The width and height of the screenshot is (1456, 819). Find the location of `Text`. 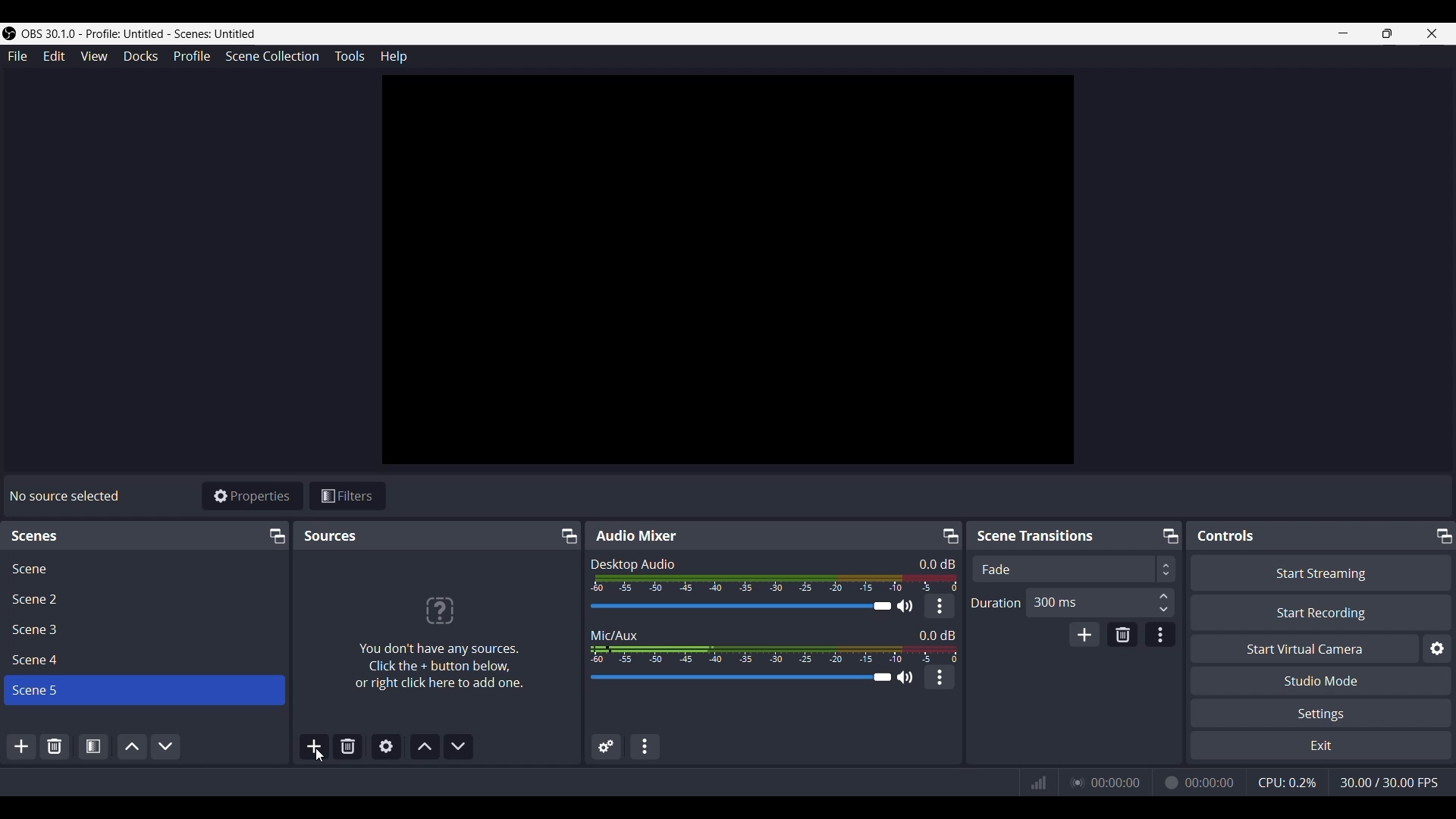

Text is located at coordinates (1037, 536).